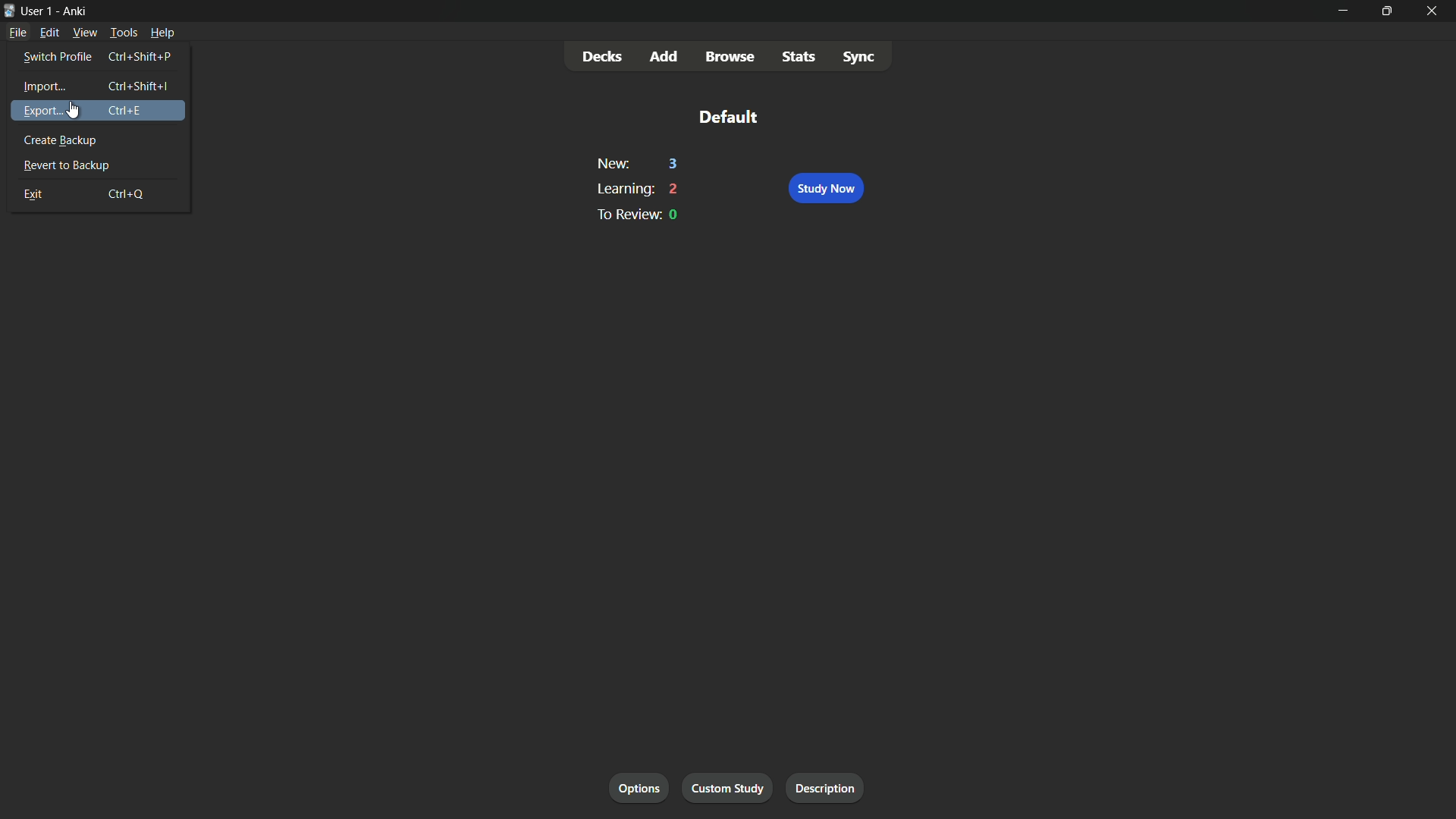 The image size is (1456, 819). I want to click on create backup, so click(60, 141).